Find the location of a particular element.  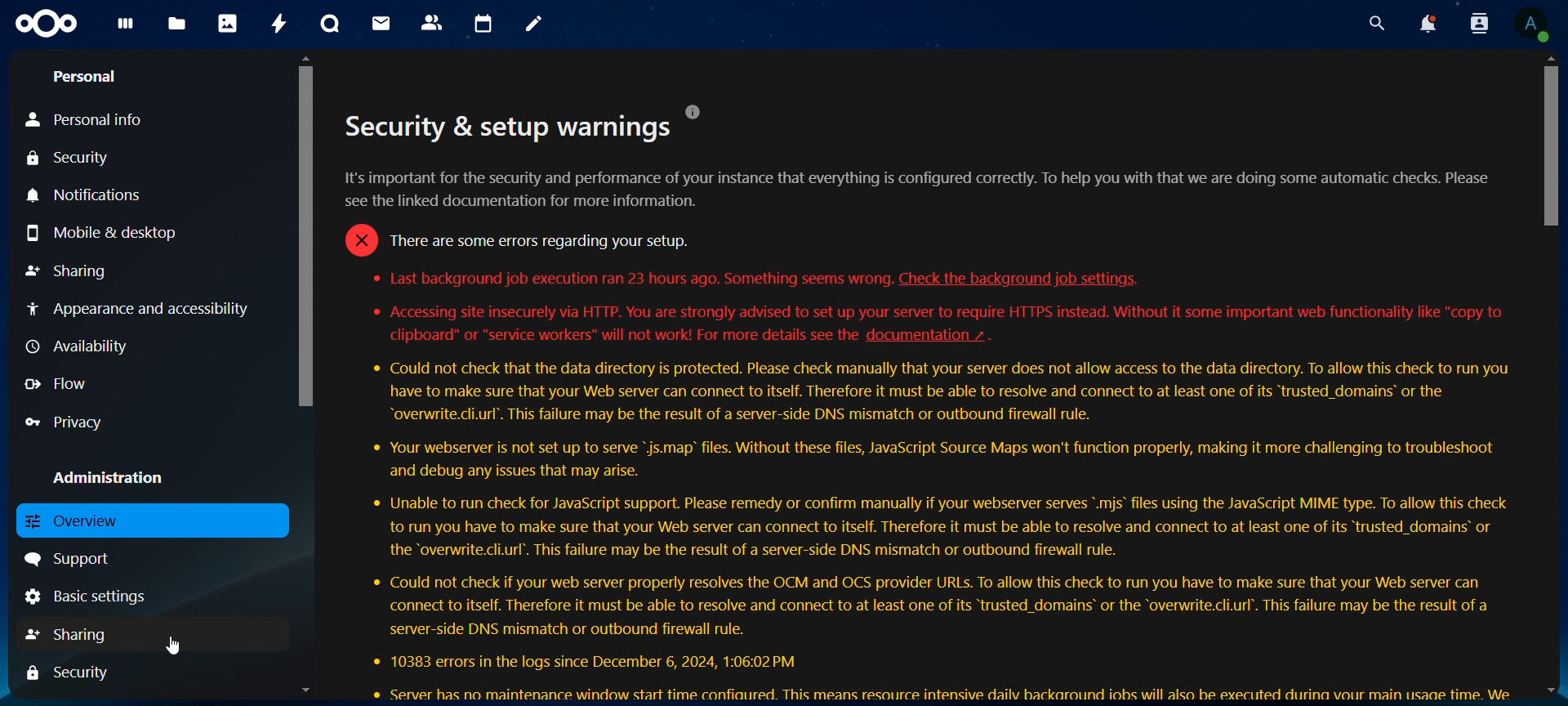

mobile & desktop is located at coordinates (116, 234).